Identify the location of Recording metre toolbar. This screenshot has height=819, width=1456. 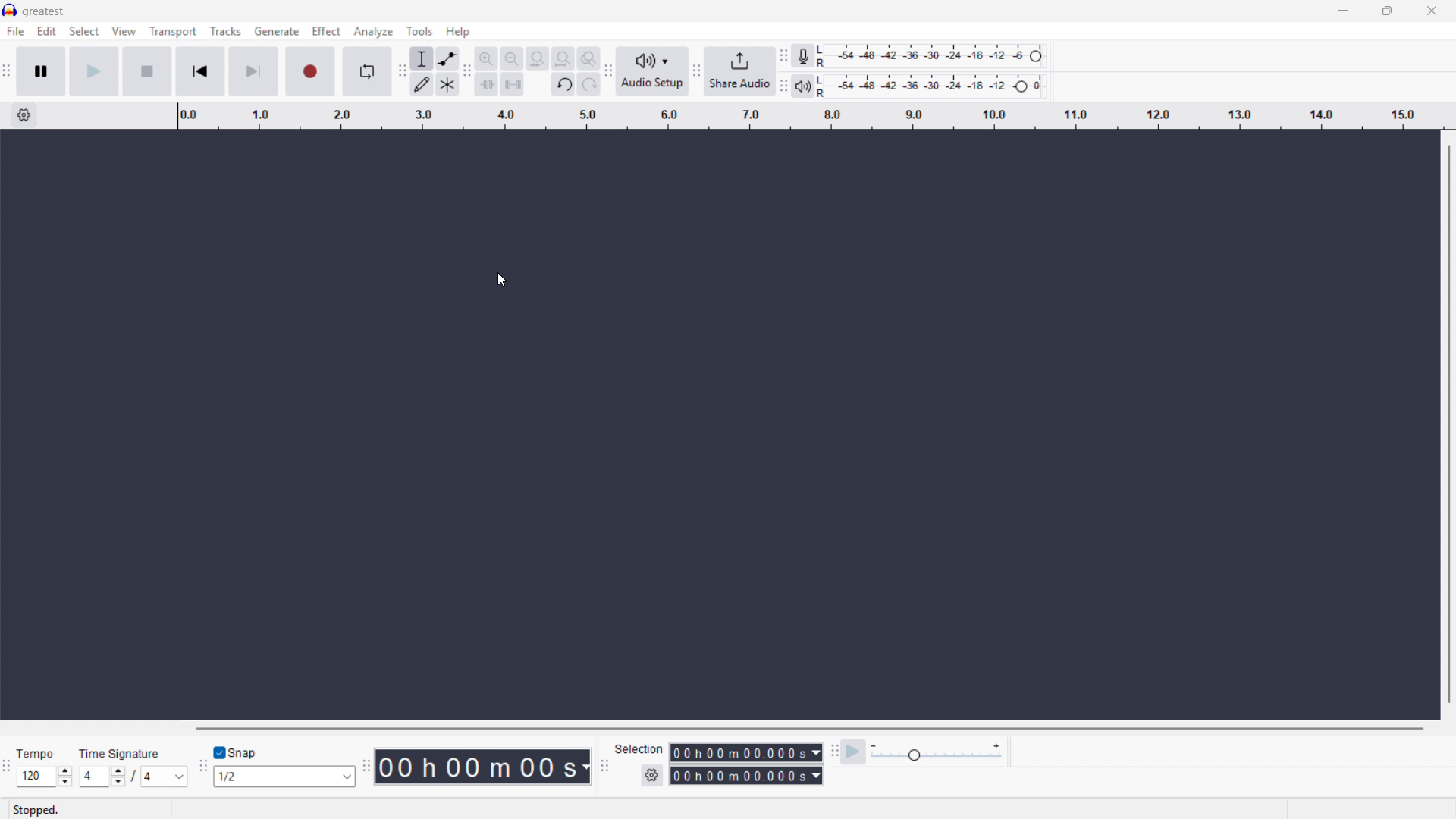
(784, 57).